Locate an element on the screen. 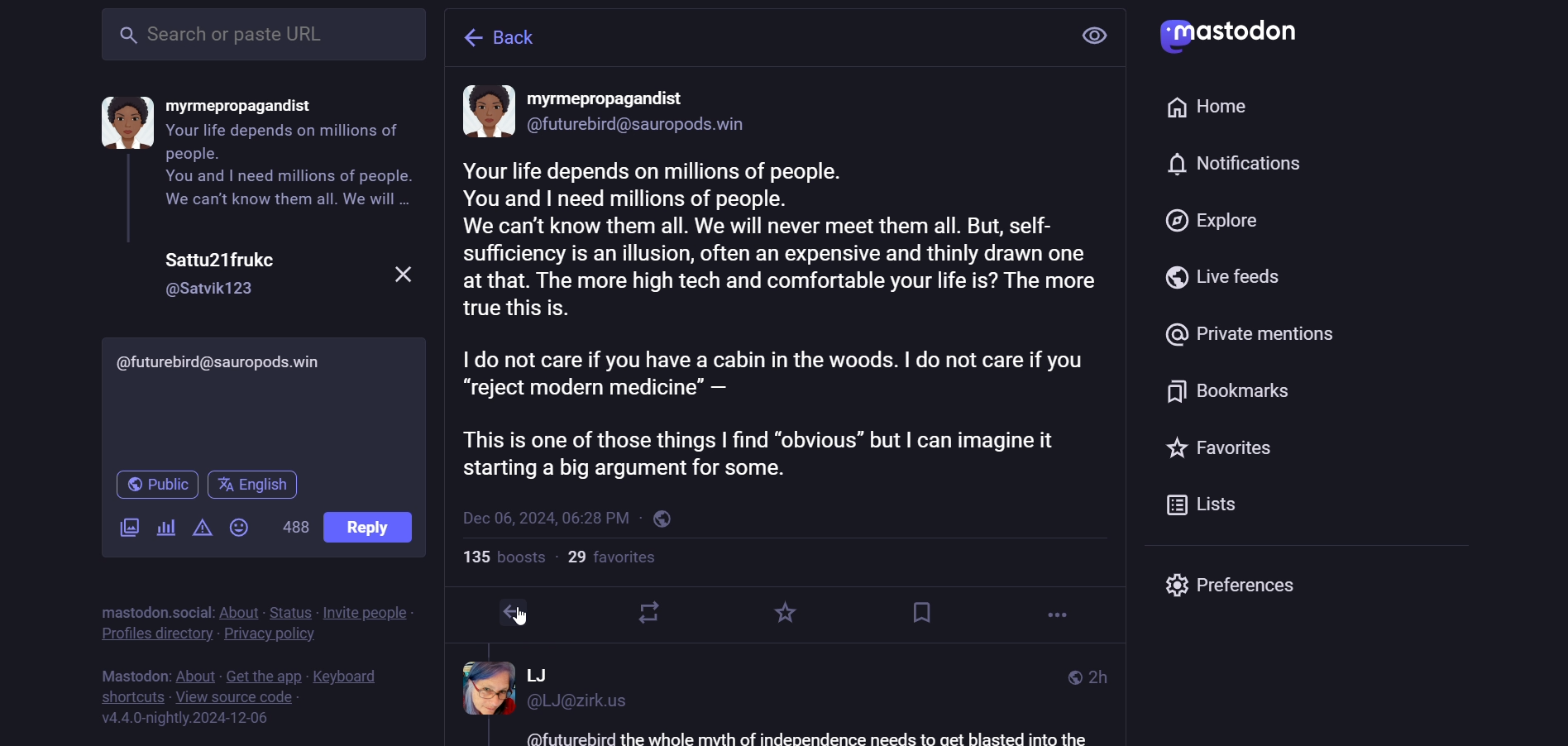 The height and width of the screenshot is (746, 1568). invite people is located at coordinates (370, 612).